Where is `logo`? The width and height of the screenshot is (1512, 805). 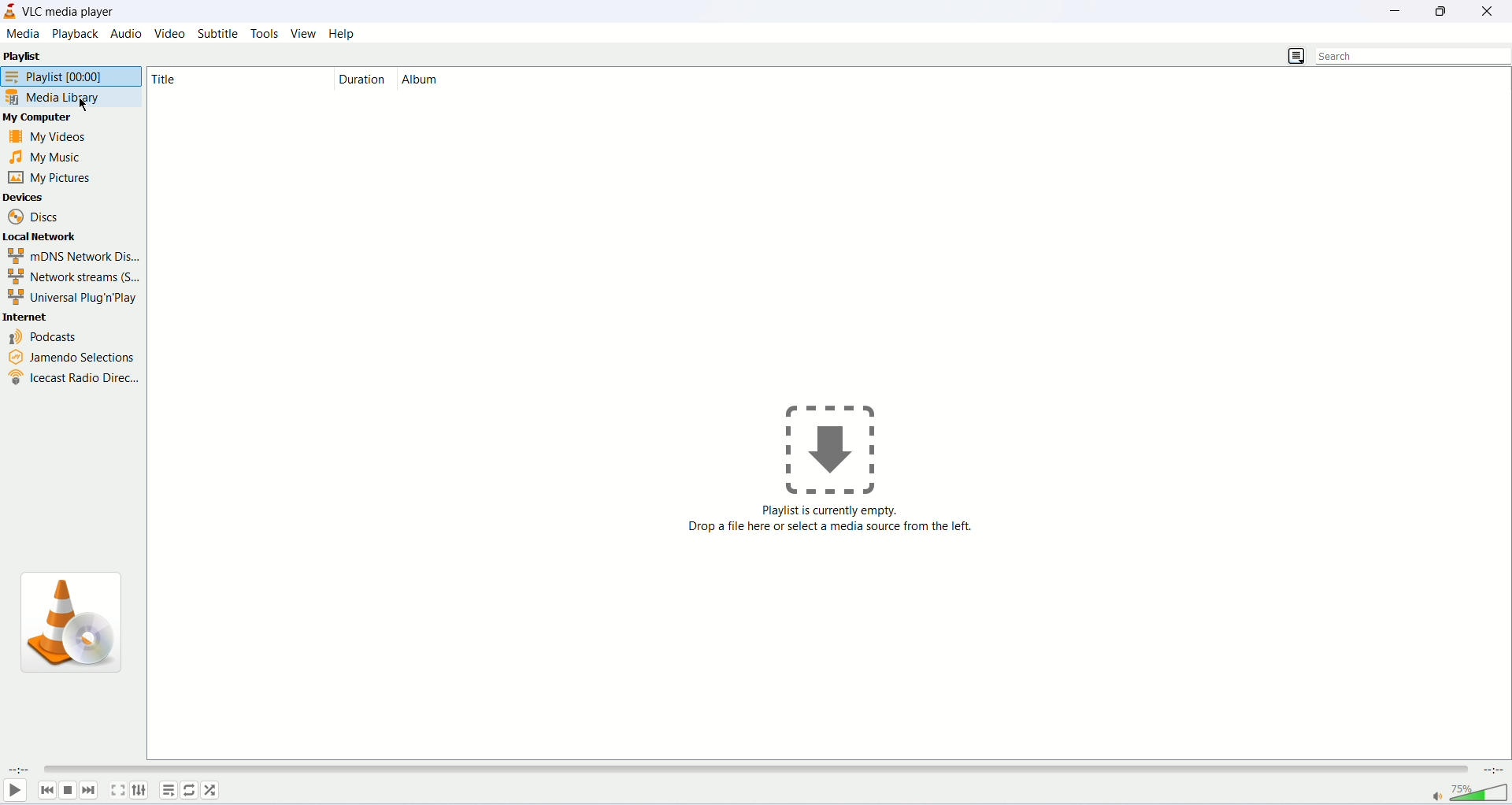
logo is located at coordinates (11, 11).